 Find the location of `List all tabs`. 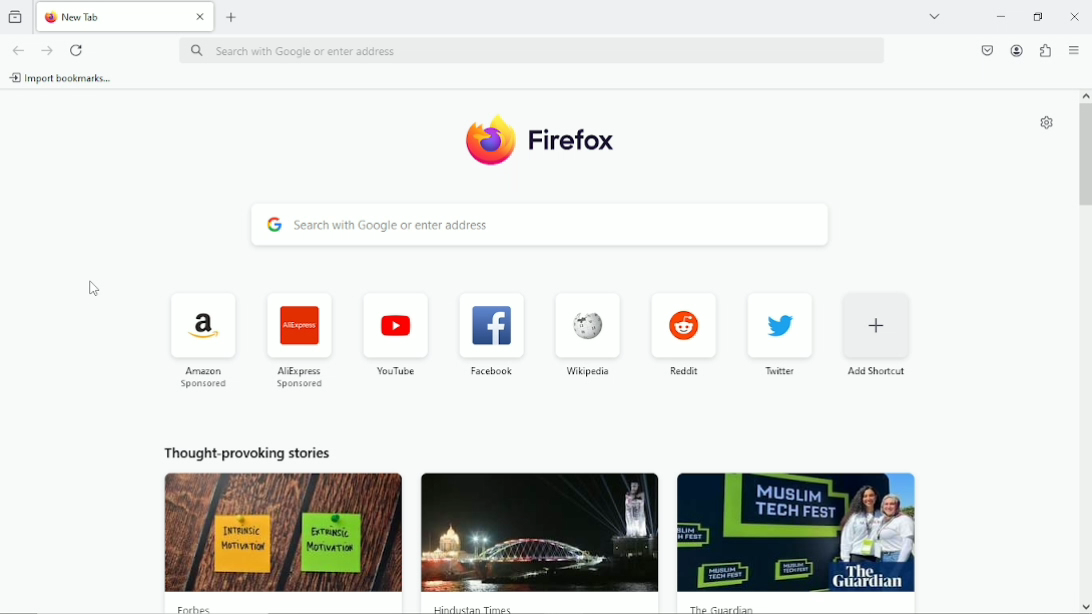

List all tabs is located at coordinates (934, 15).